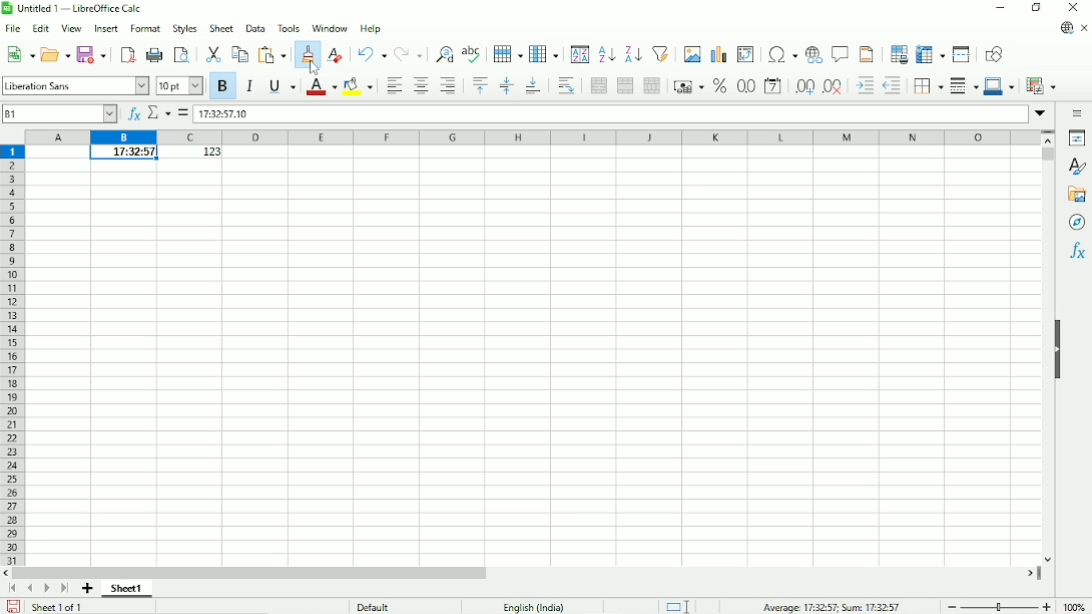 Image resolution: width=1092 pixels, height=614 pixels. What do you see at coordinates (780, 54) in the screenshot?
I see `Insert special characters` at bounding box center [780, 54].